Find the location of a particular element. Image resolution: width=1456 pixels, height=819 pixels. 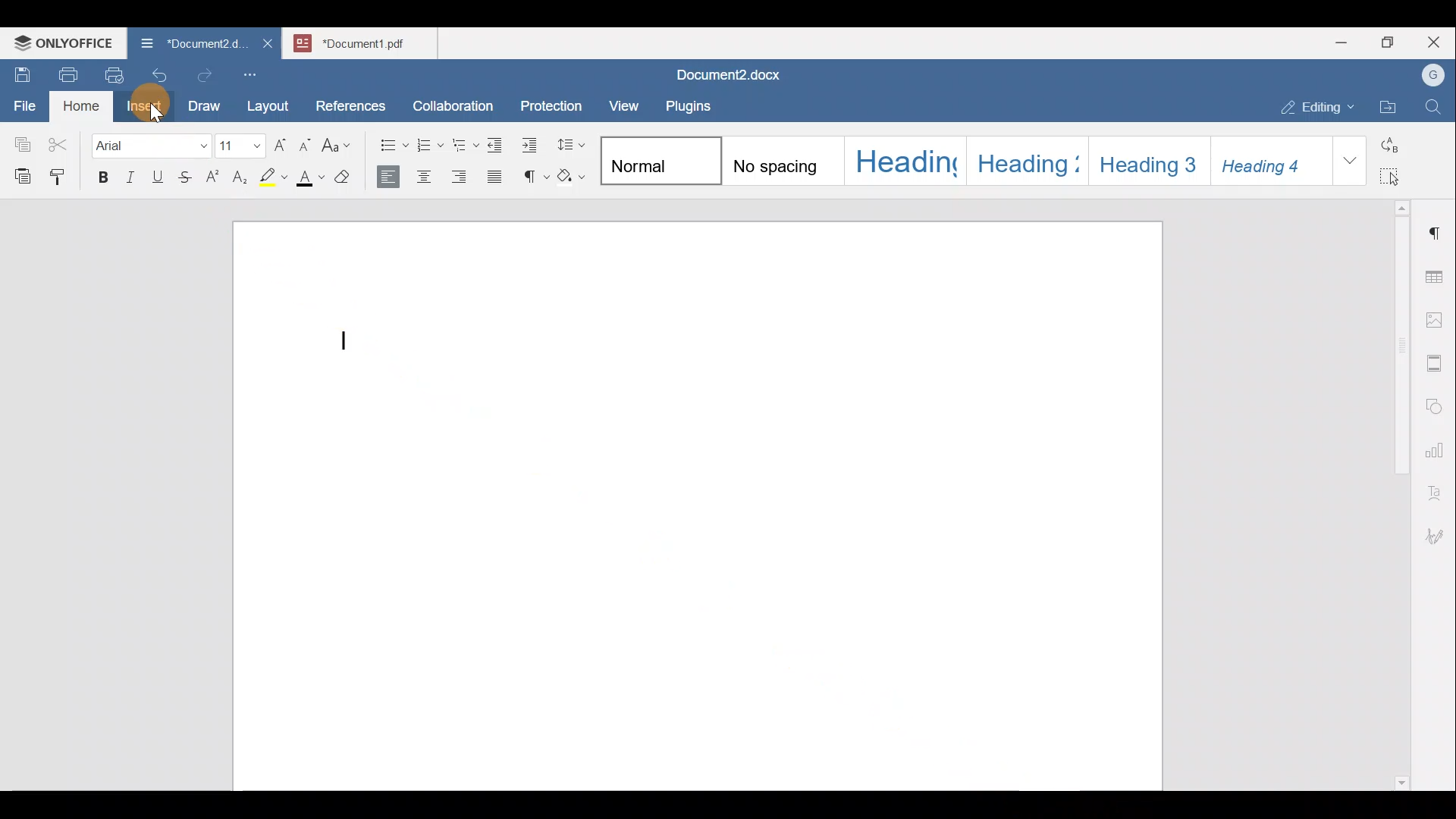

Shapes settings is located at coordinates (1437, 404).